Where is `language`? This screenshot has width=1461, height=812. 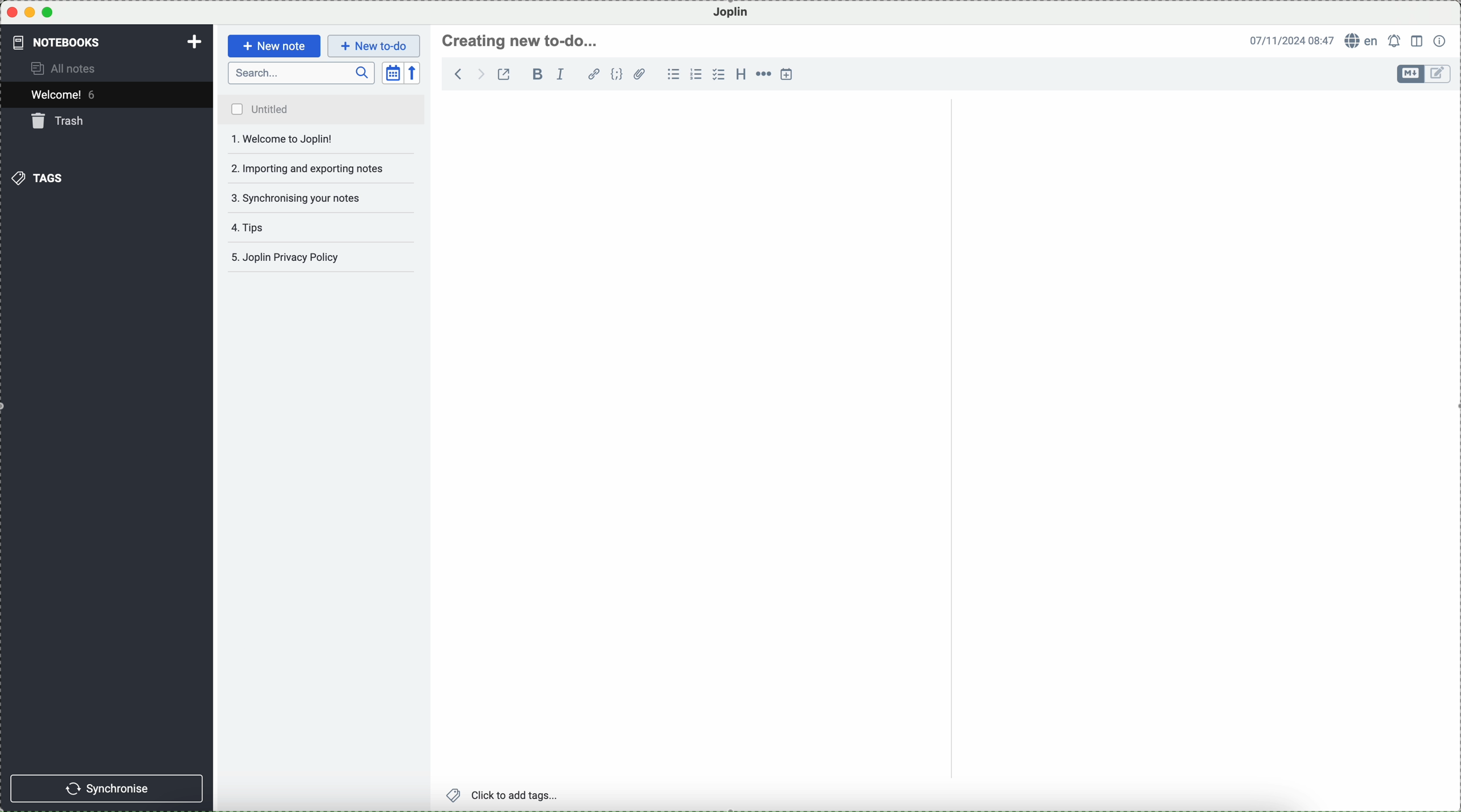
language is located at coordinates (1362, 40).